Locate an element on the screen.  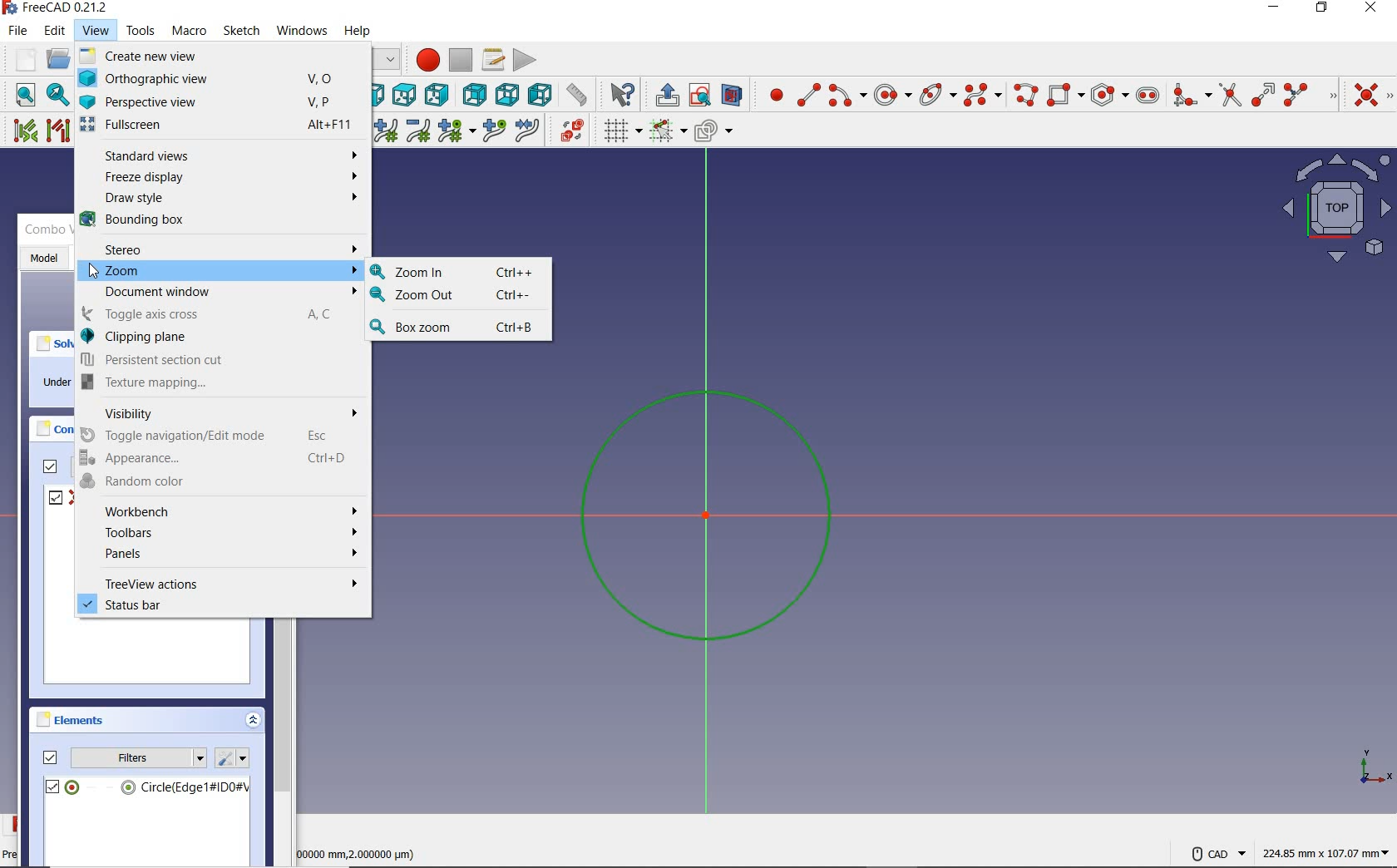
tools is located at coordinates (141, 32).